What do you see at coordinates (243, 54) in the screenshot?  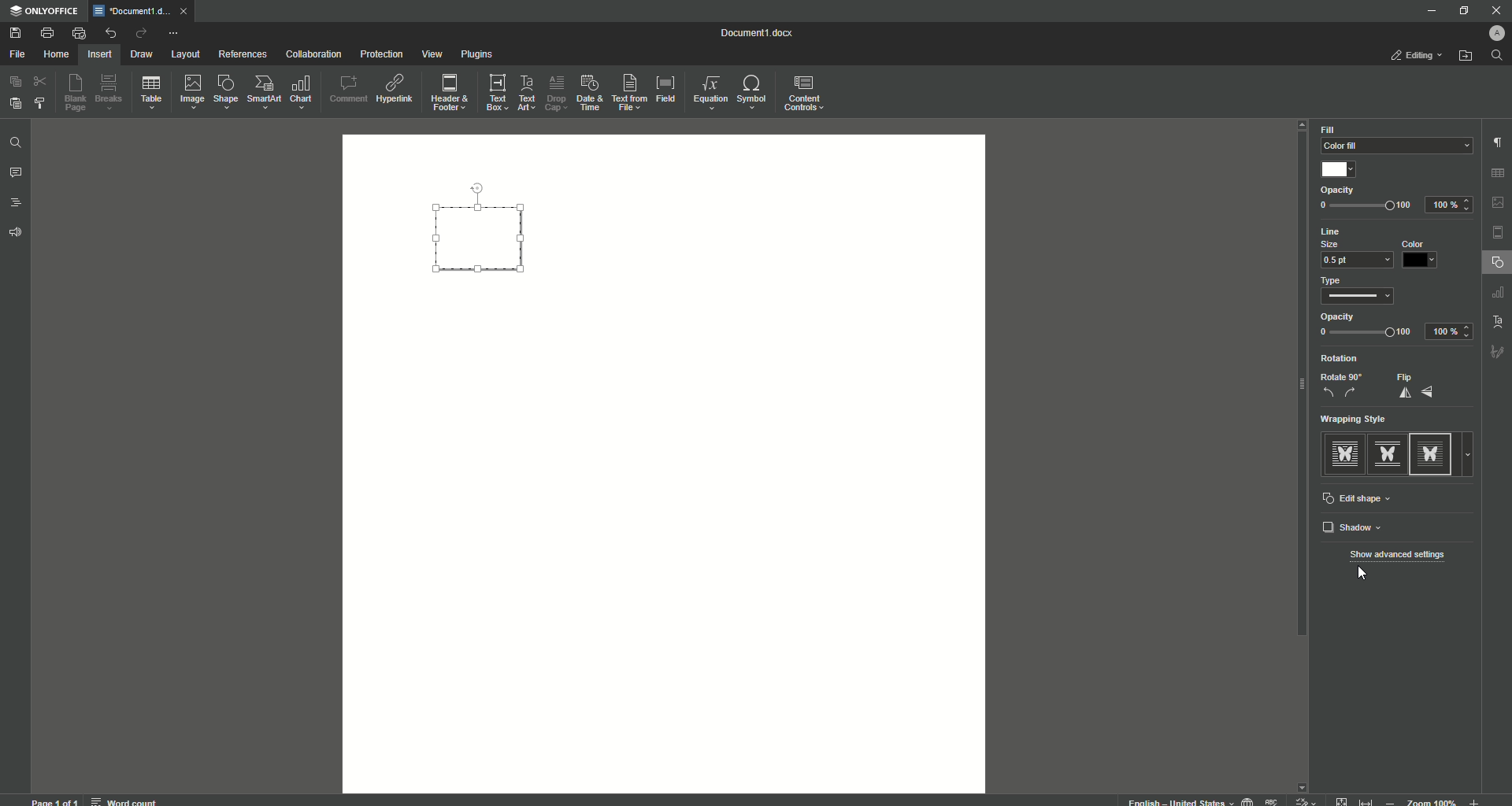 I see `References` at bounding box center [243, 54].